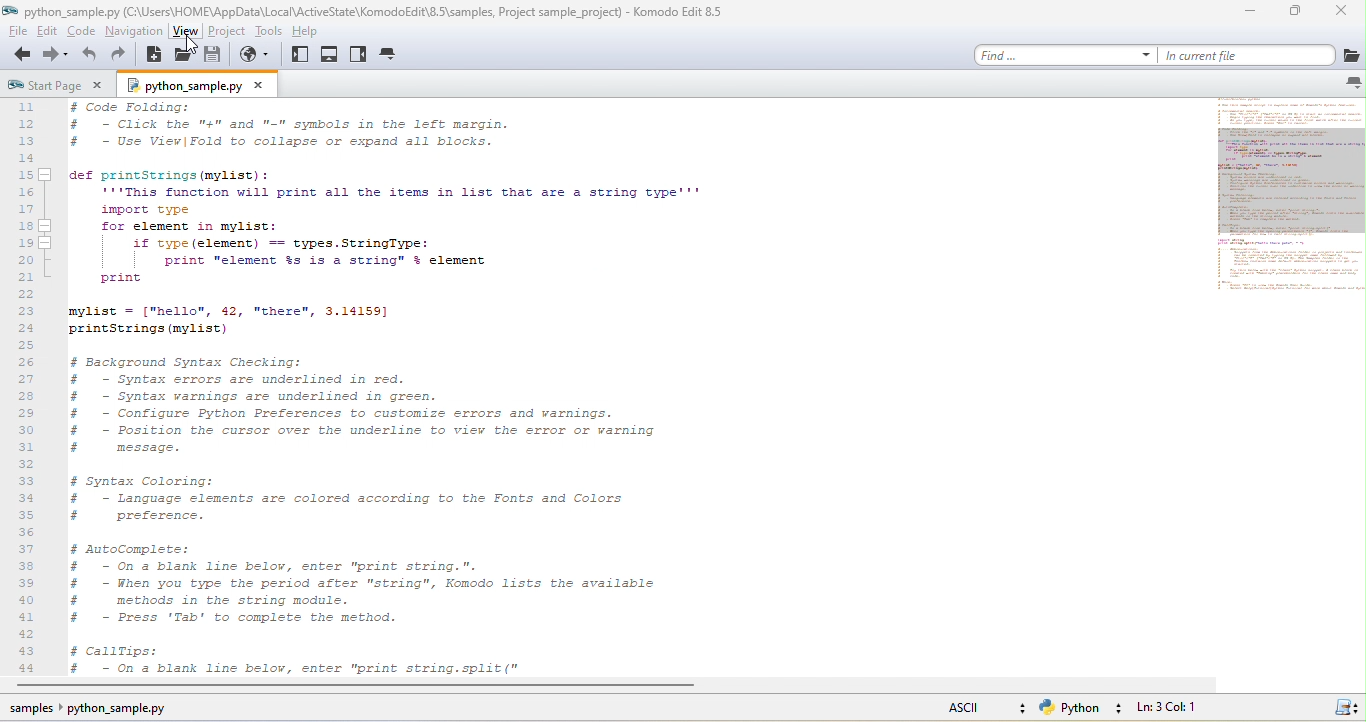 This screenshot has width=1366, height=722. I want to click on close, so click(1338, 16).